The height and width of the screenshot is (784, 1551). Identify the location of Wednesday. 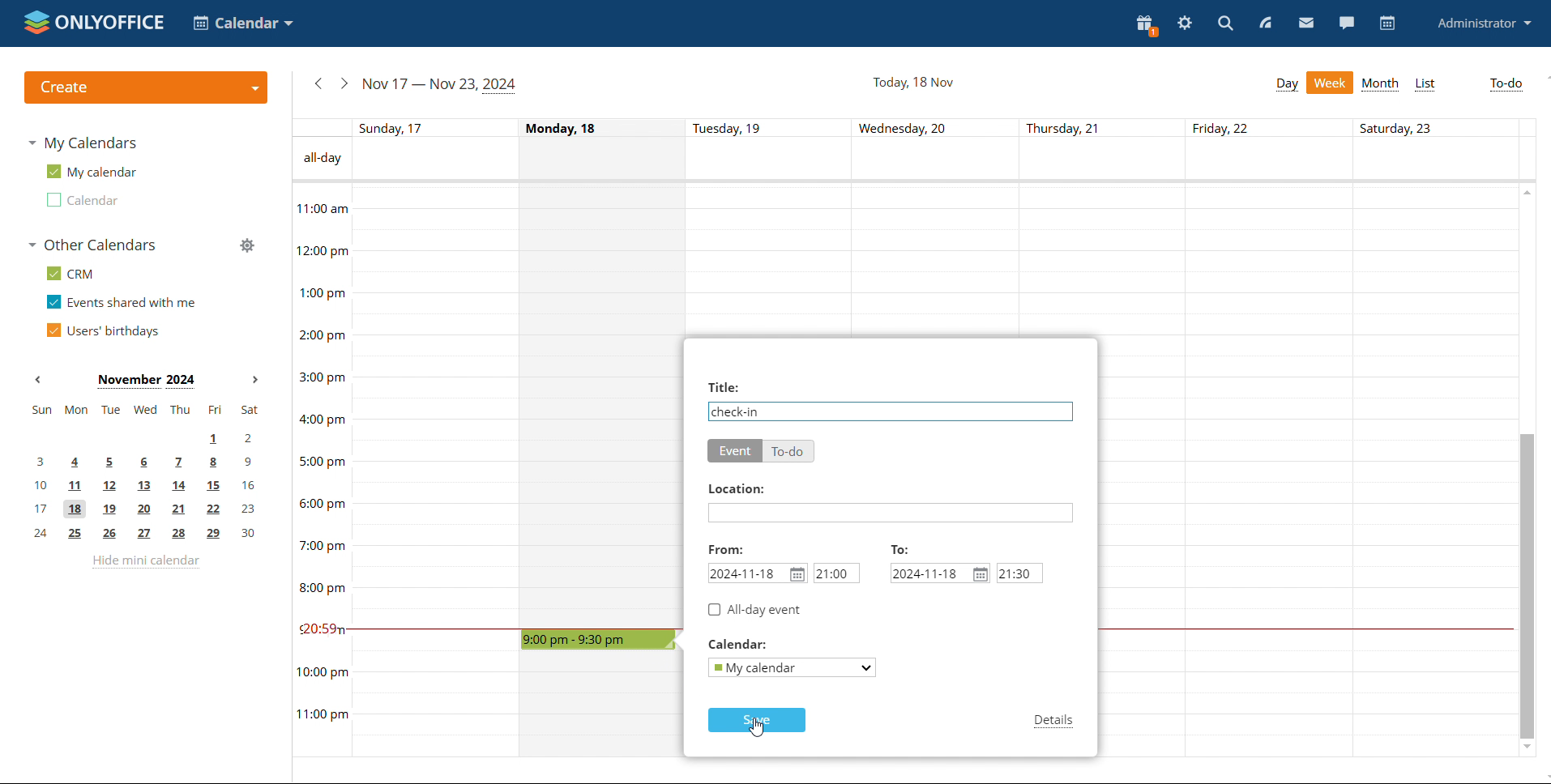
(934, 259).